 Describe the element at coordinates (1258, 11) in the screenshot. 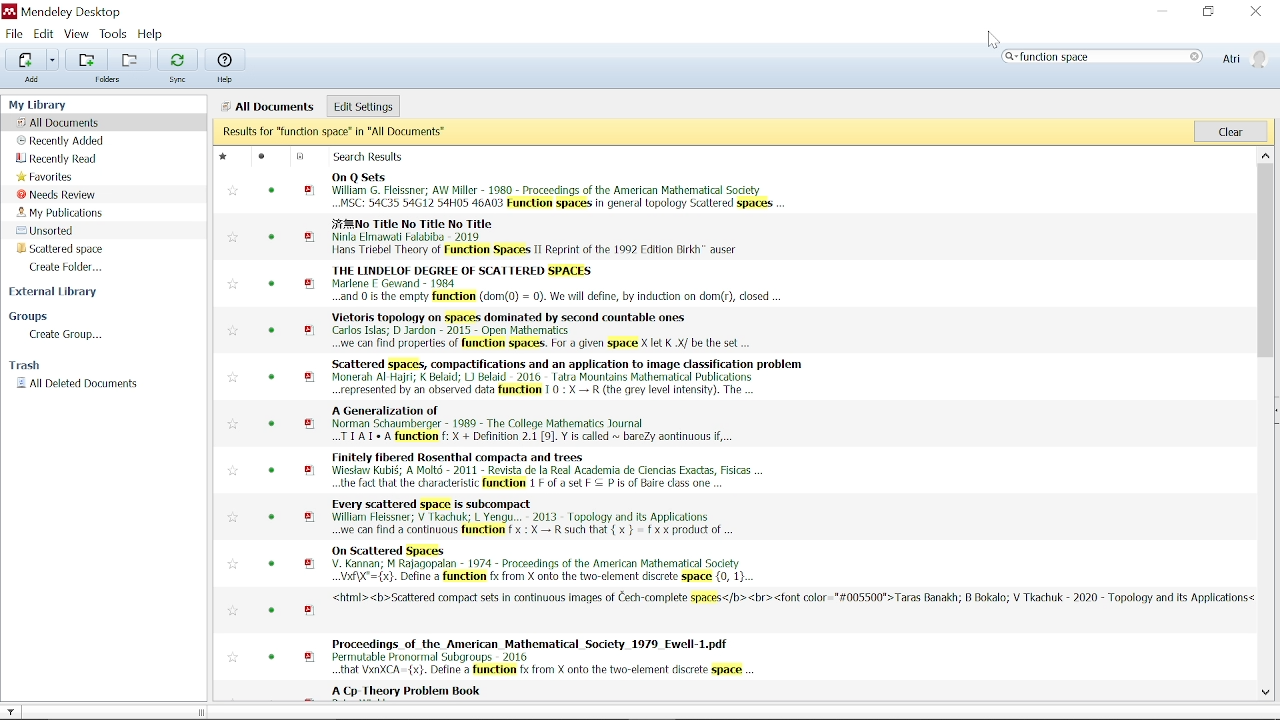

I see `Close` at that location.